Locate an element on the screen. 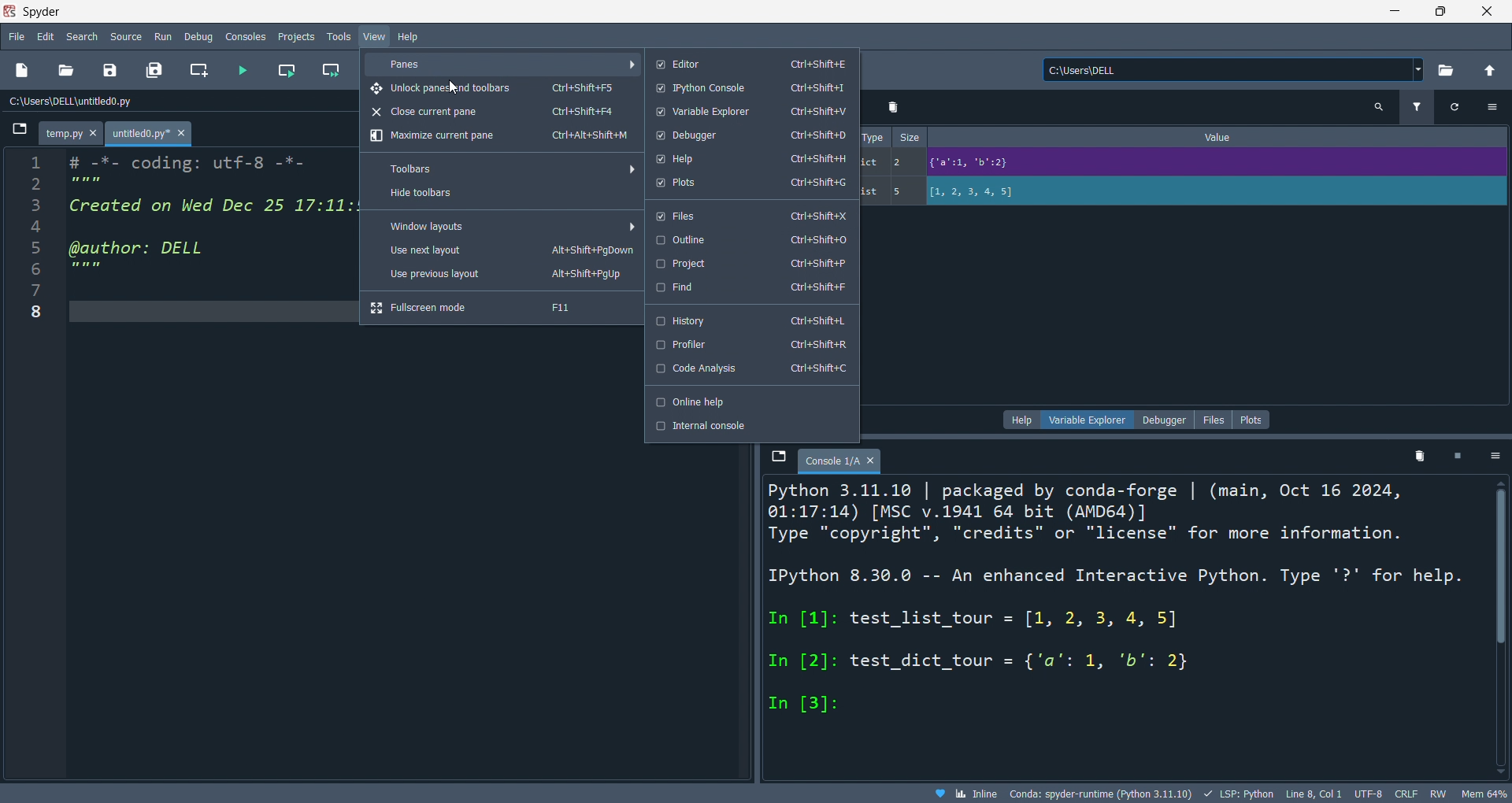  save is located at coordinates (107, 72).